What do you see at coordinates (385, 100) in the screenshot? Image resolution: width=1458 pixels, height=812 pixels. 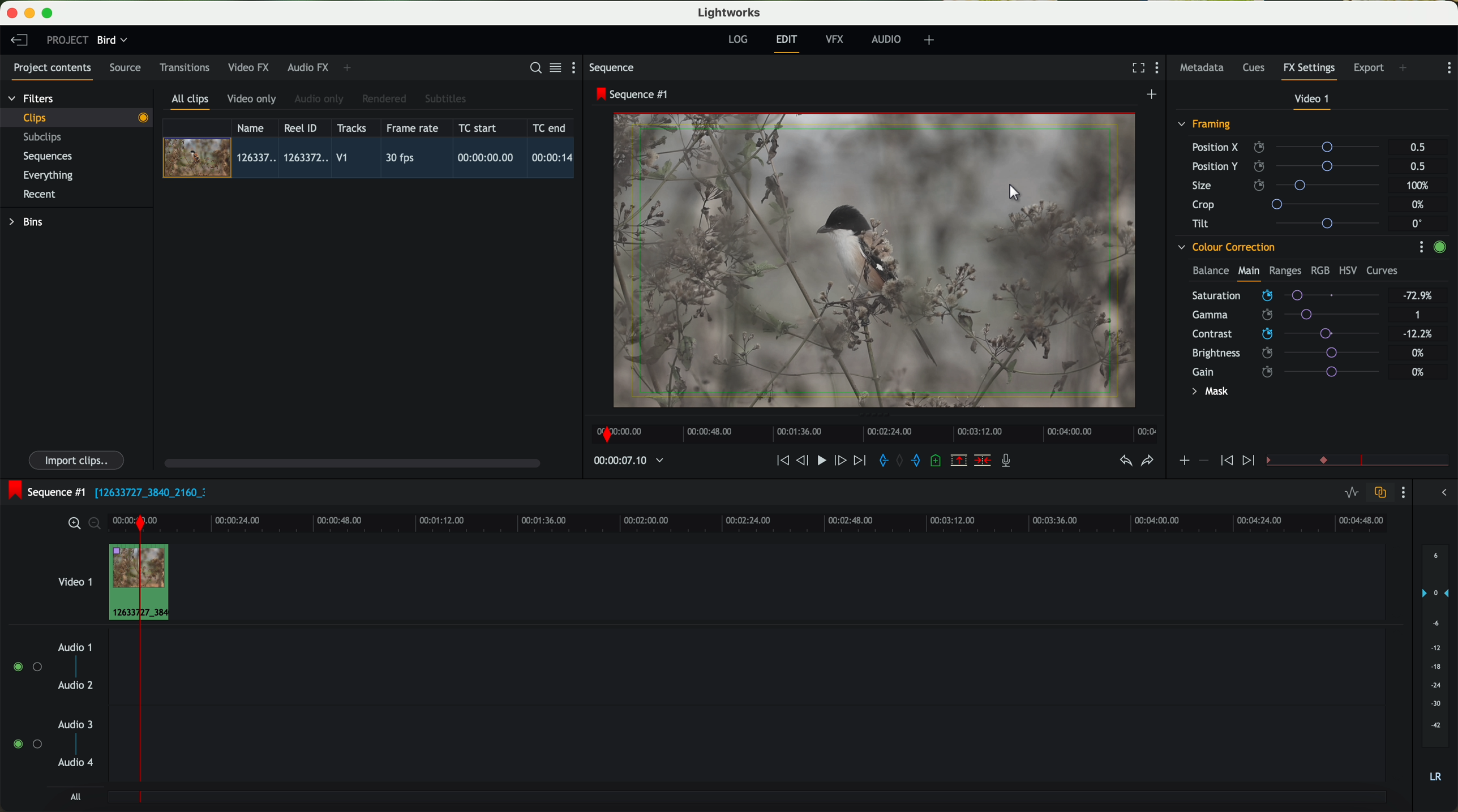 I see `rendered` at bounding box center [385, 100].